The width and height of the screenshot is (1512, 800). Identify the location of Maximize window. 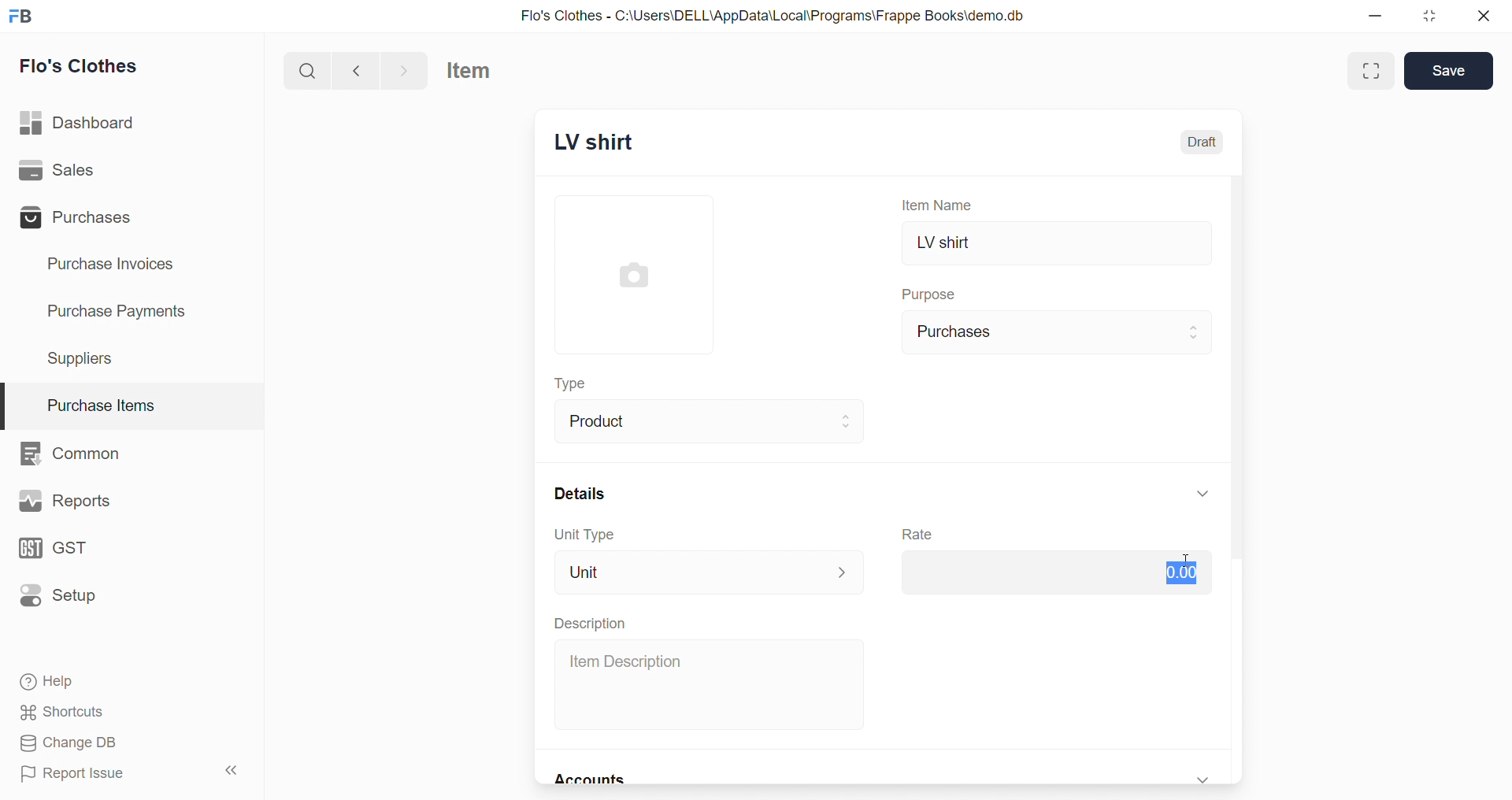
(1373, 71).